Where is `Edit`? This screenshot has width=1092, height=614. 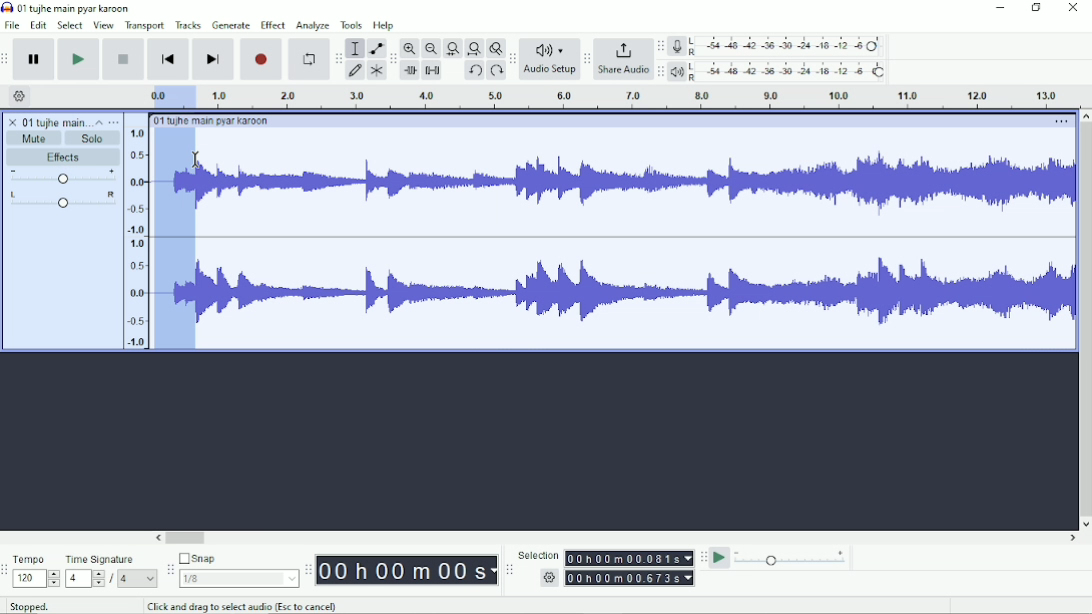 Edit is located at coordinates (39, 25).